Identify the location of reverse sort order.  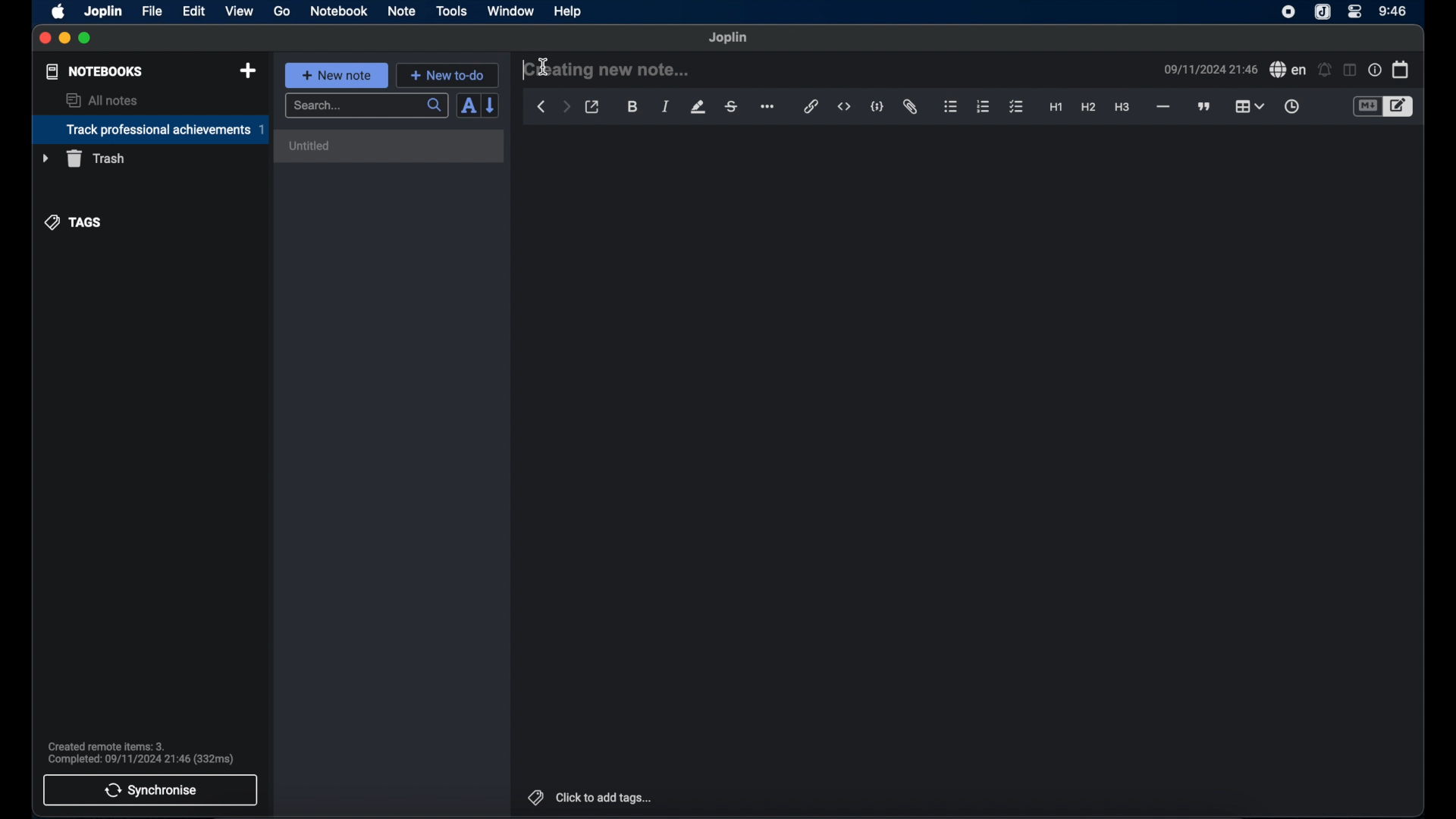
(492, 105).